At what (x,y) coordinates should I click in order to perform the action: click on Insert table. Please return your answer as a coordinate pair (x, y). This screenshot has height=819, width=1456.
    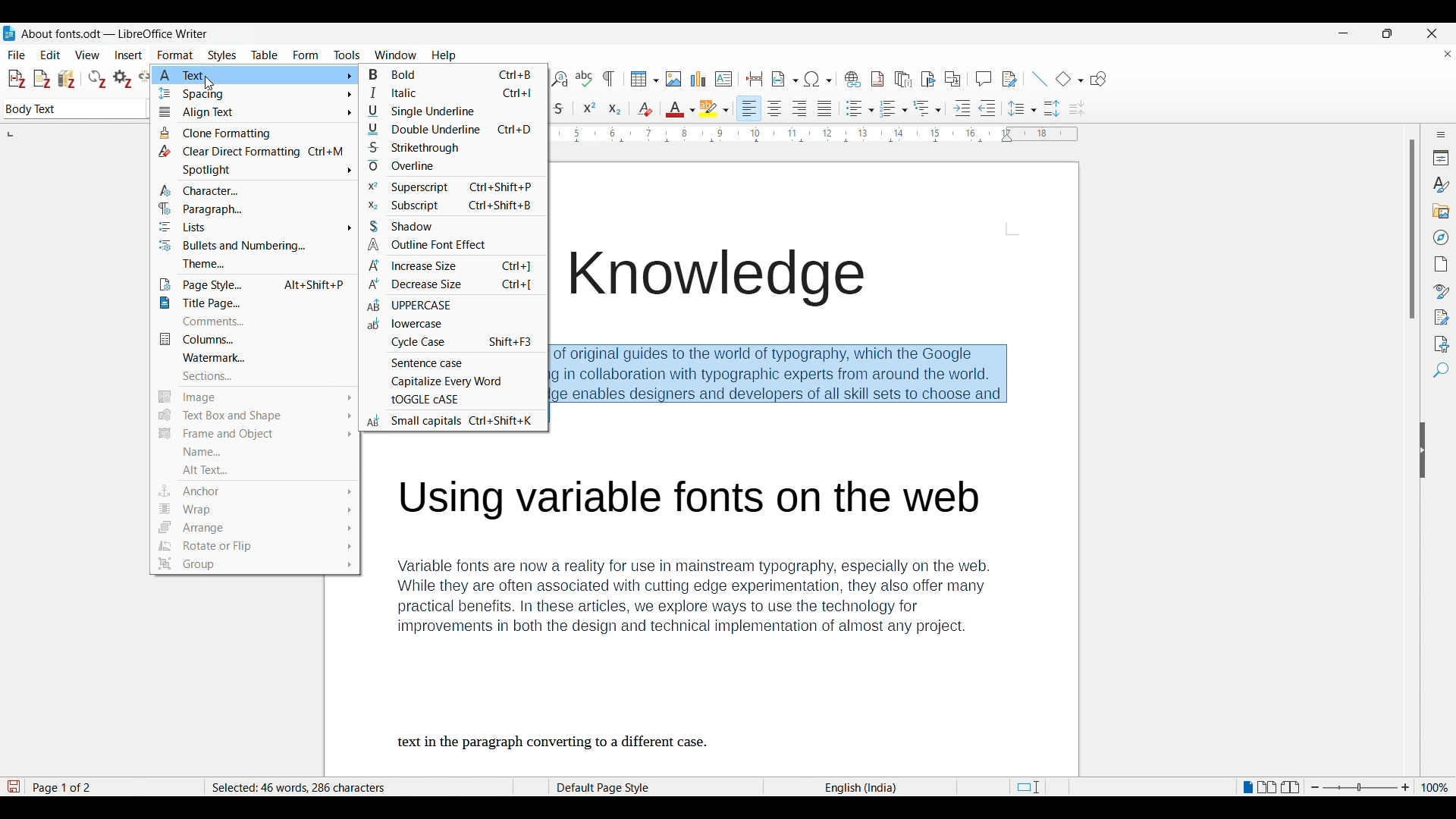
    Looking at the image, I should click on (645, 79).